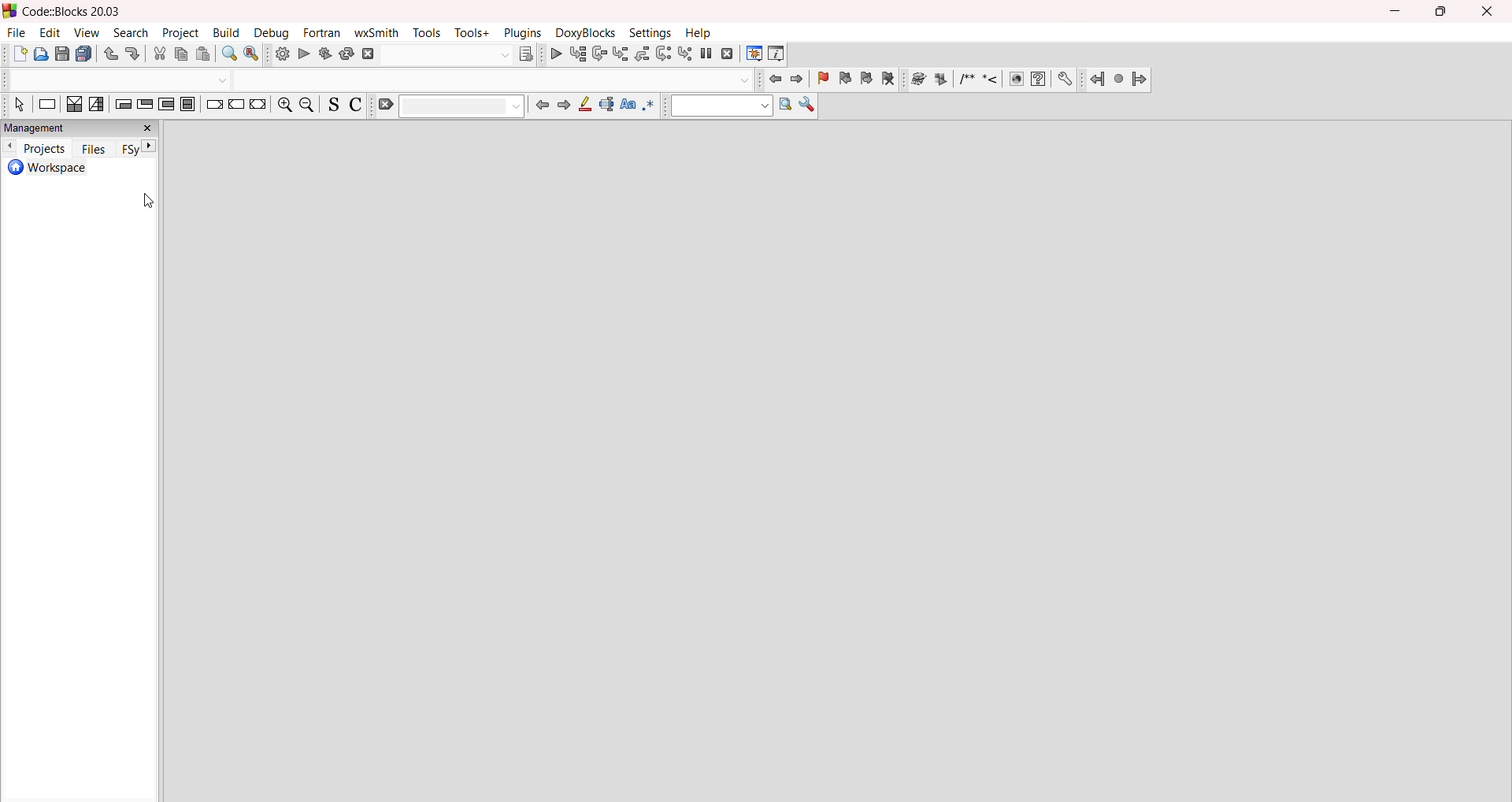 This screenshot has height=802, width=1512. Describe the element at coordinates (9, 147) in the screenshot. I see `previous` at that location.